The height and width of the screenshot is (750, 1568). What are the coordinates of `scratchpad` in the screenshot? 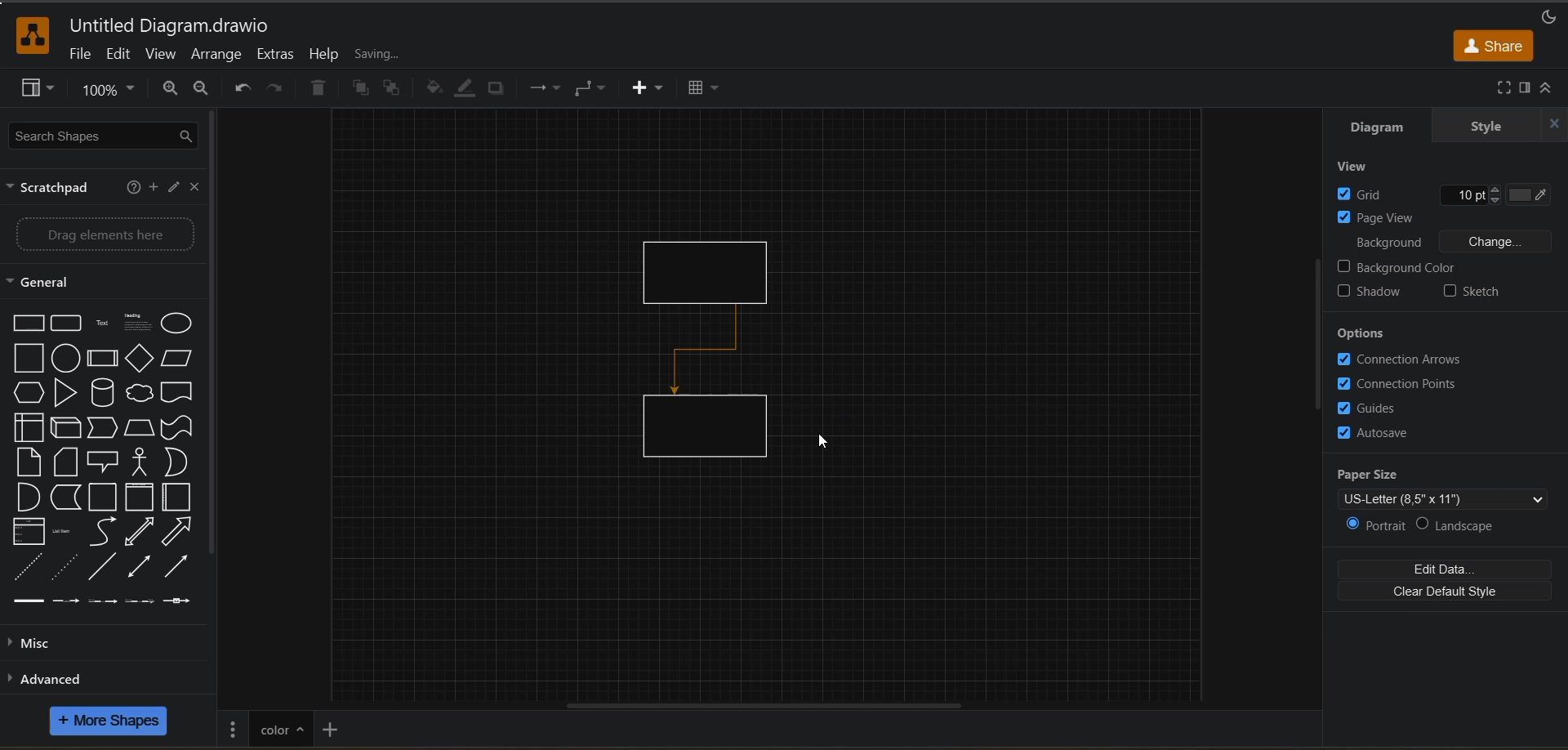 It's located at (53, 190).